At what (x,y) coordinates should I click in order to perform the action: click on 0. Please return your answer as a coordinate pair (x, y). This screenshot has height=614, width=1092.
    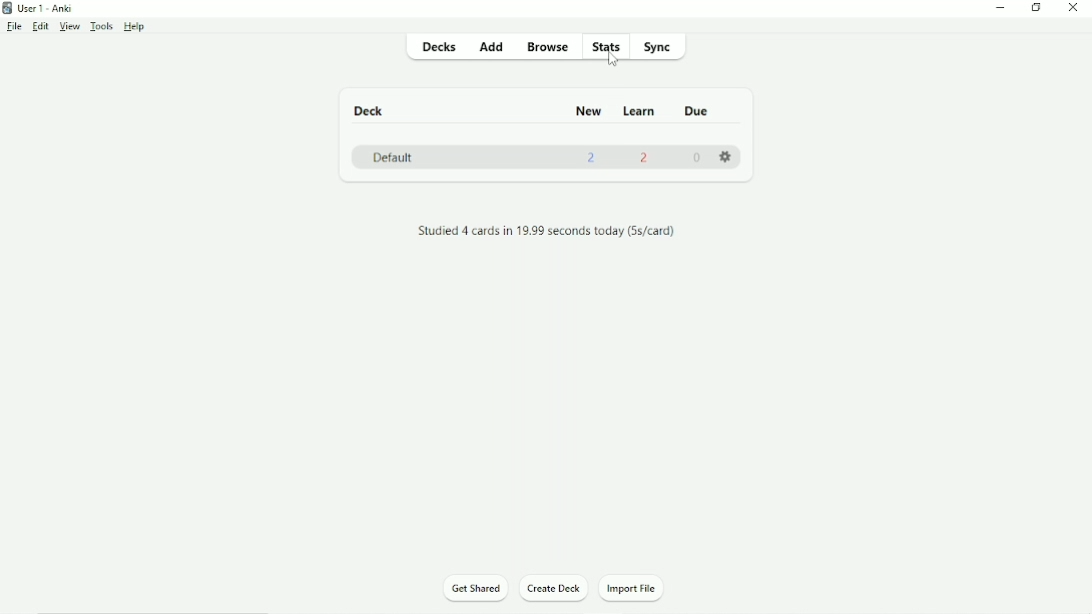
    Looking at the image, I should click on (697, 158).